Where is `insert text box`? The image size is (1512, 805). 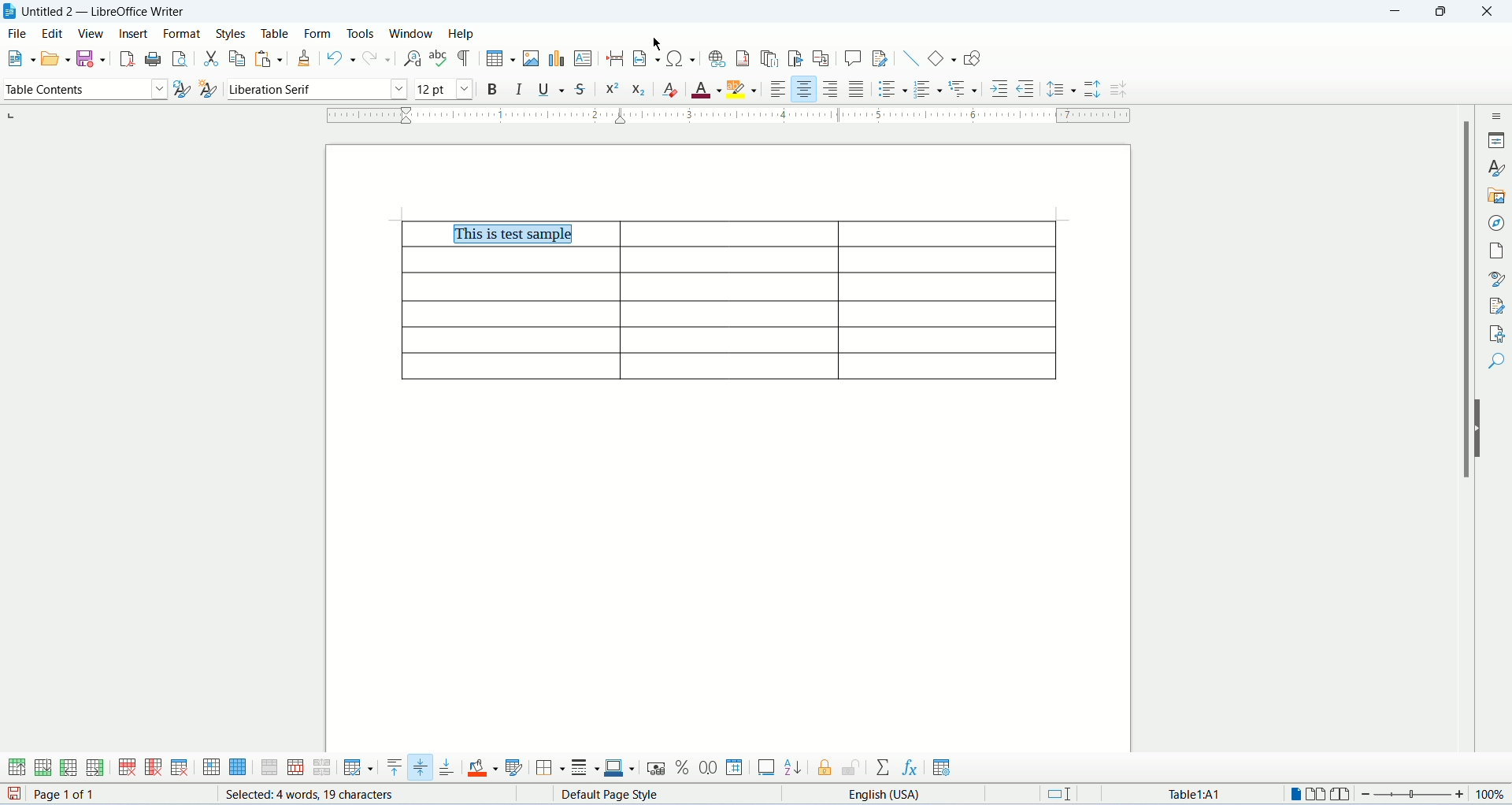
insert text box is located at coordinates (584, 59).